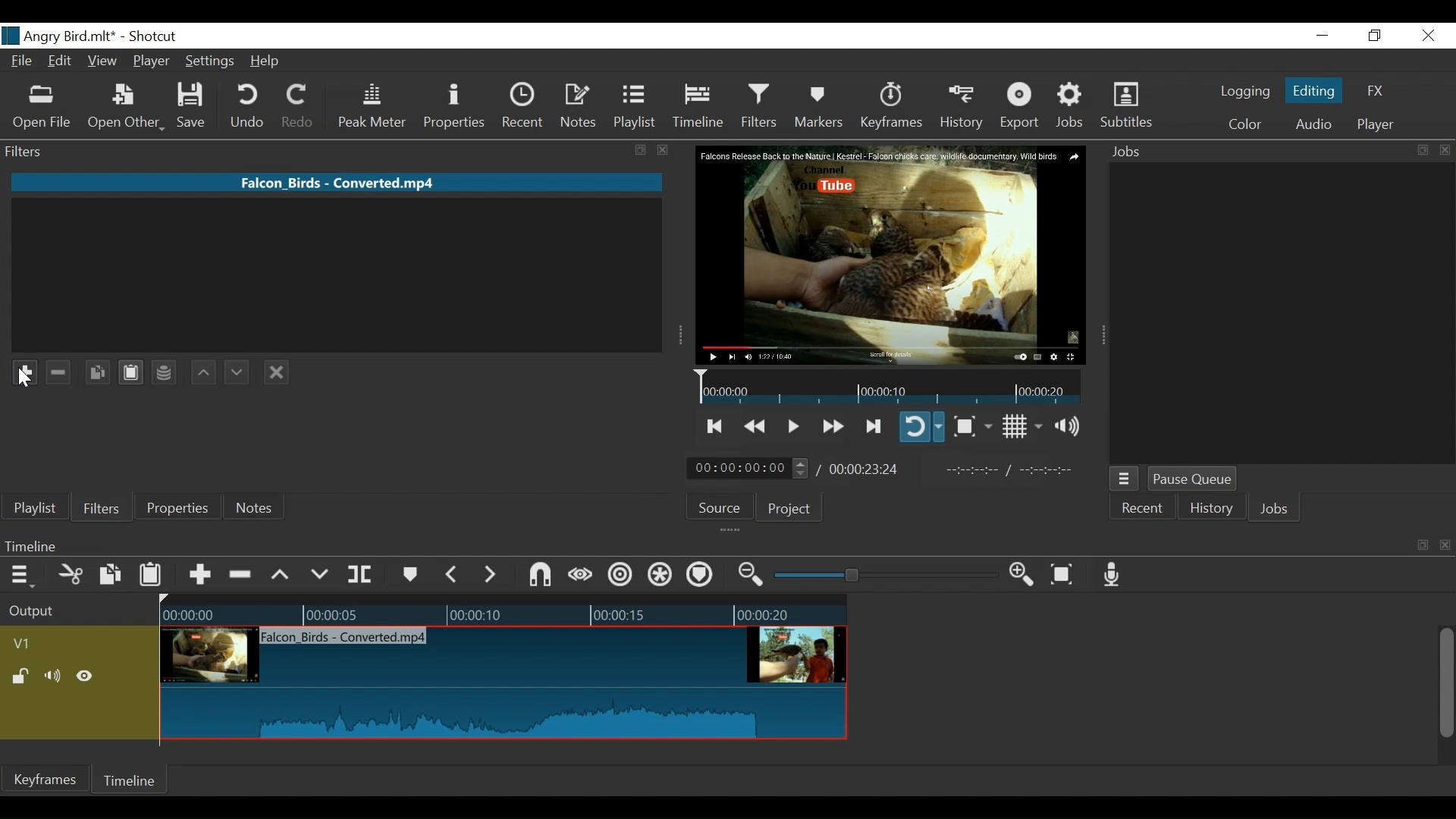  What do you see at coordinates (360, 575) in the screenshot?
I see `Split at playhead` at bounding box center [360, 575].